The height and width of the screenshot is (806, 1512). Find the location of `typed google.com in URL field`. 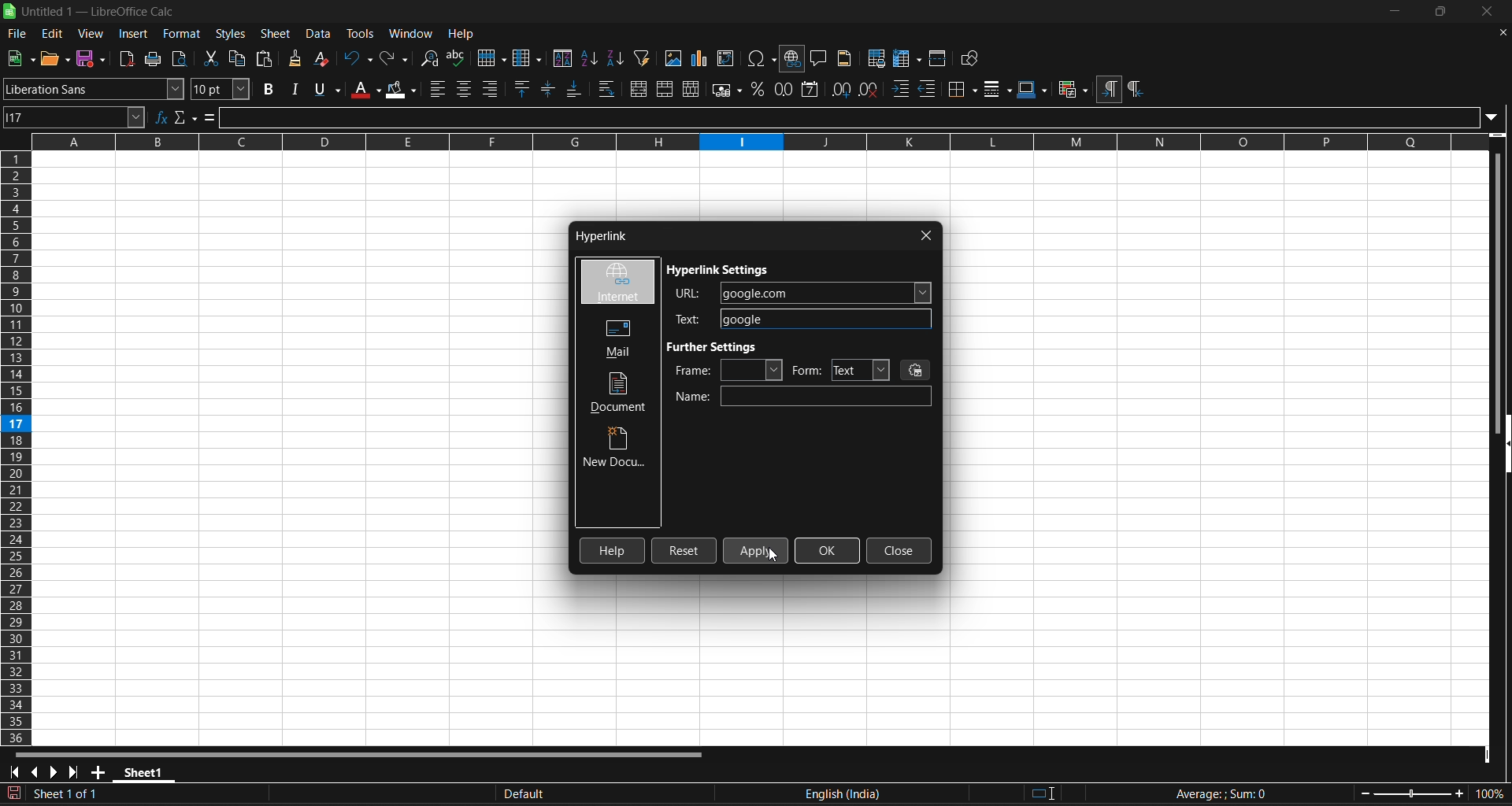

typed google.com in URL field is located at coordinates (803, 293).